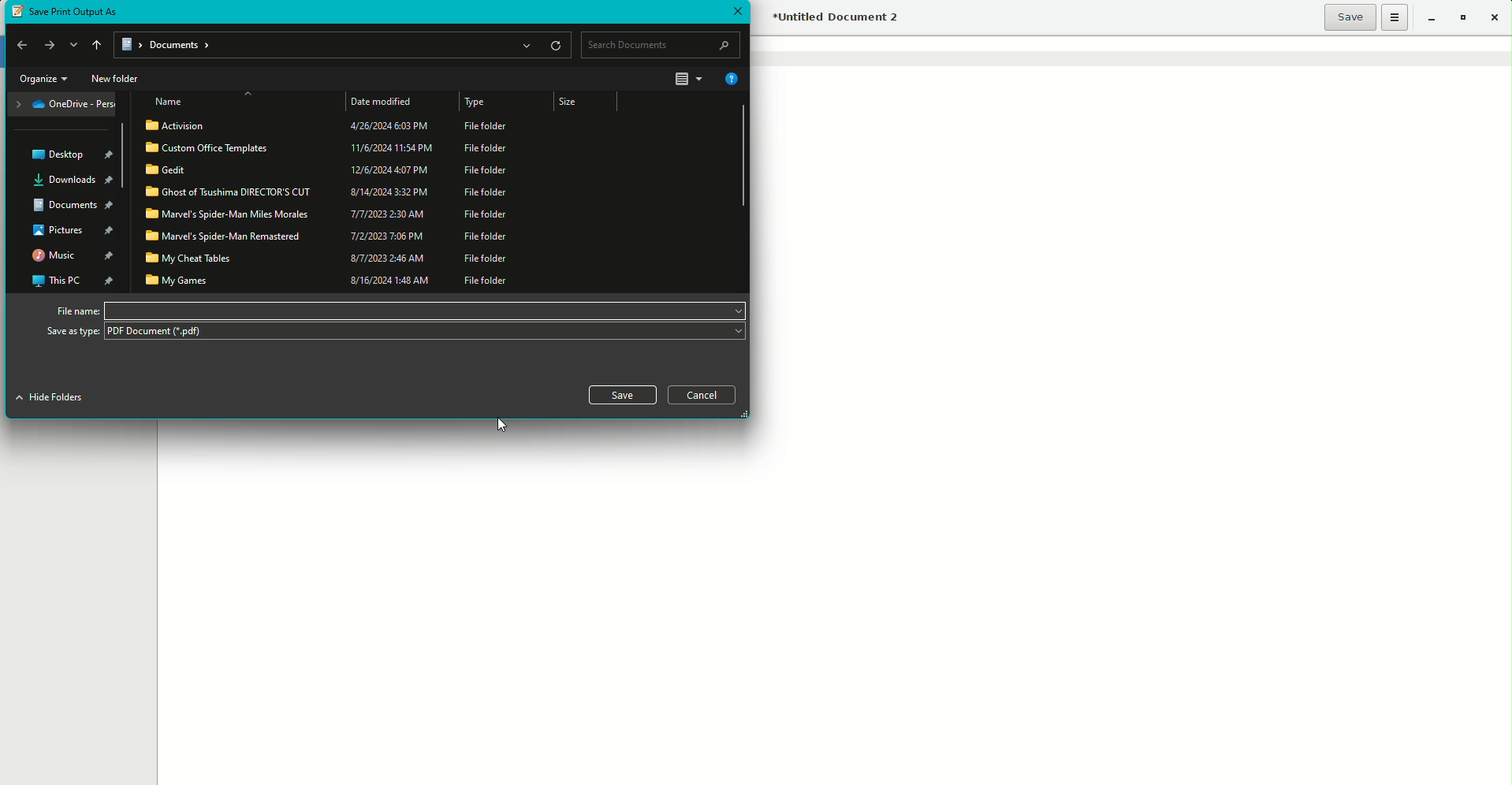 The width and height of the screenshot is (1512, 785). I want to click on Untitled Document 2, so click(838, 19).